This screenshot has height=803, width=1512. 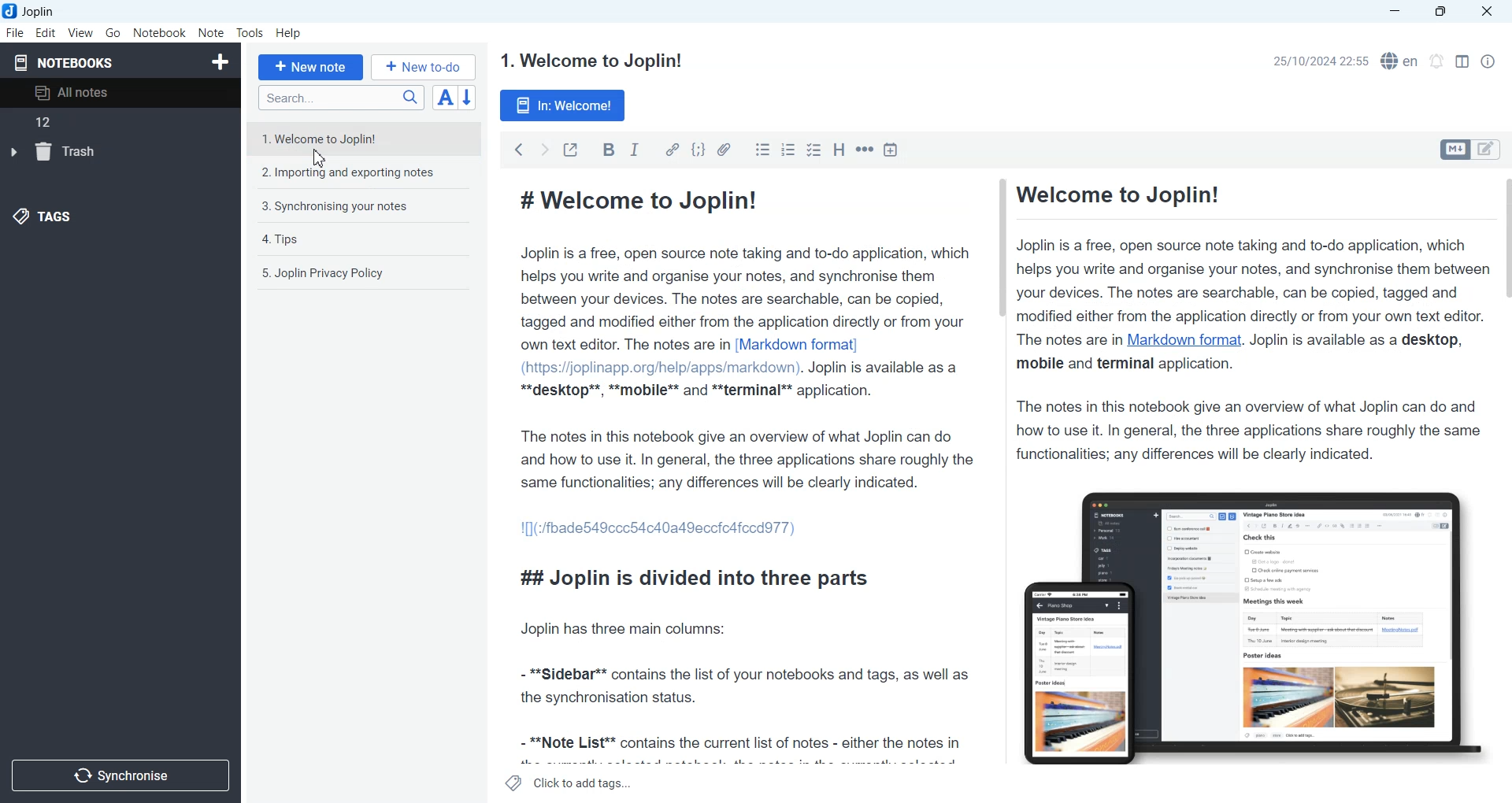 What do you see at coordinates (609, 150) in the screenshot?
I see `Bold` at bounding box center [609, 150].